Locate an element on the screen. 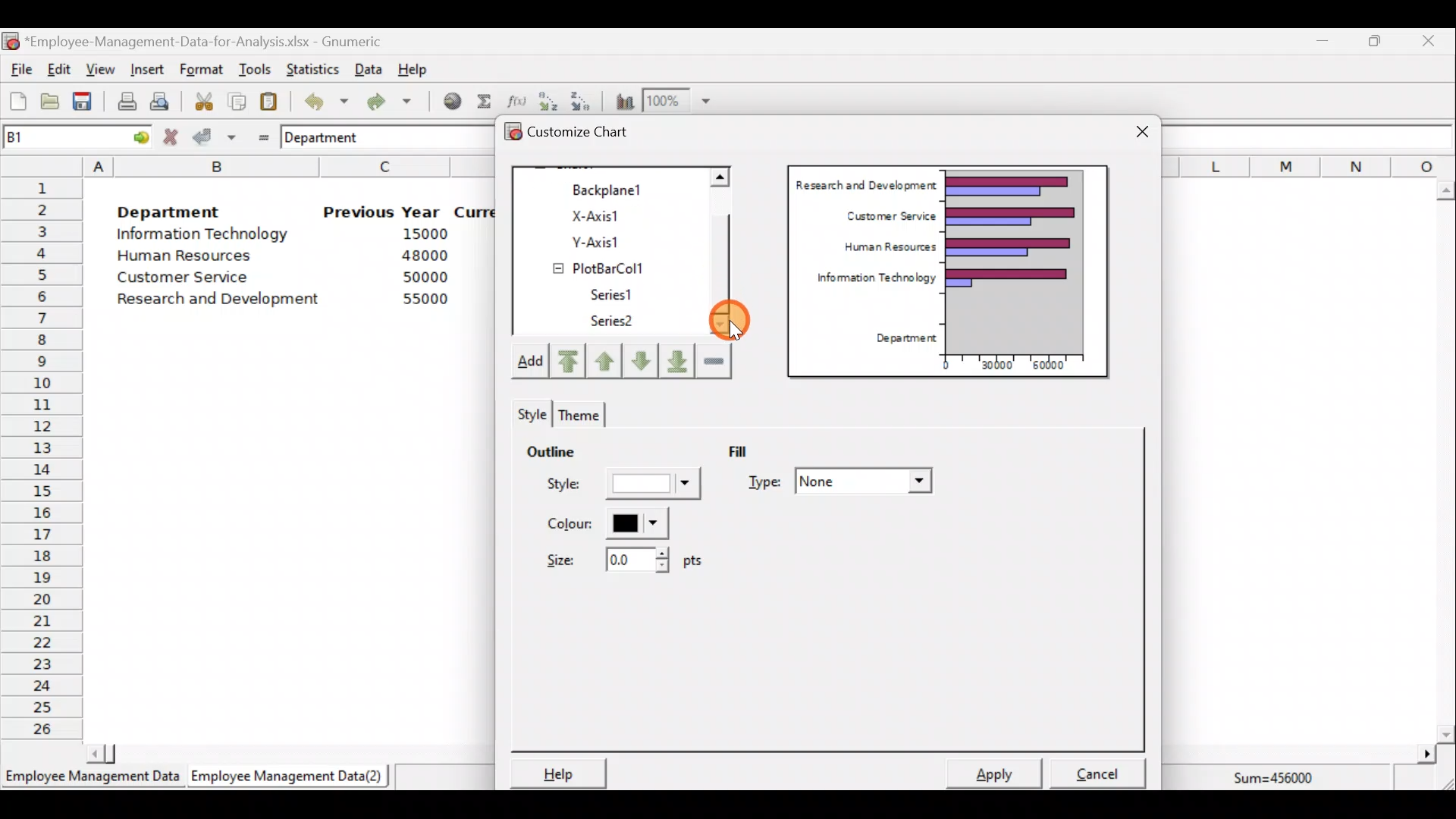 Image resolution: width=1456 pixels, height=819 pixels. 48000 is located at coordinates (424, 256).